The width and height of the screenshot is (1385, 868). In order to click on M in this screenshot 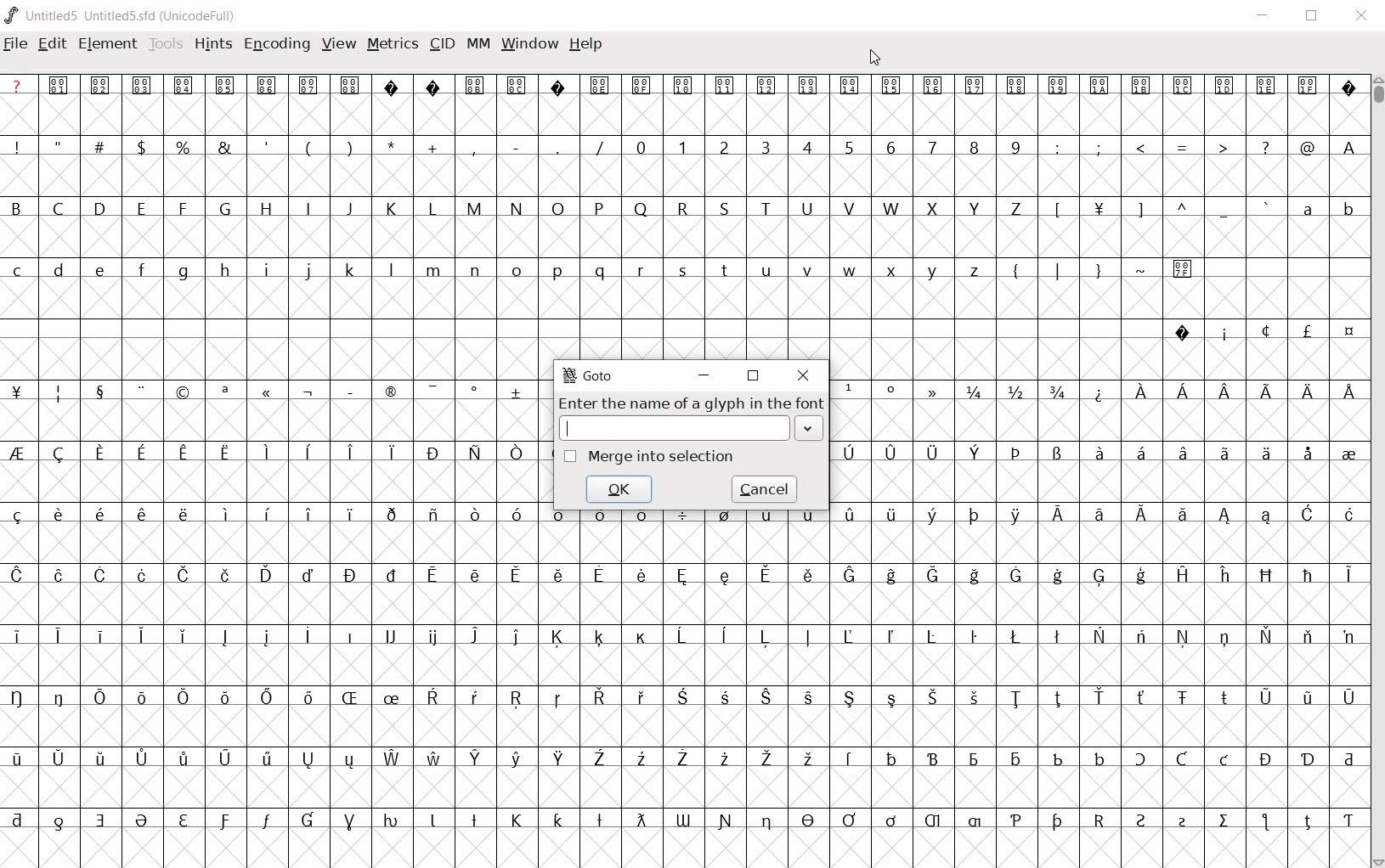, I will do `click(473, 207)`.